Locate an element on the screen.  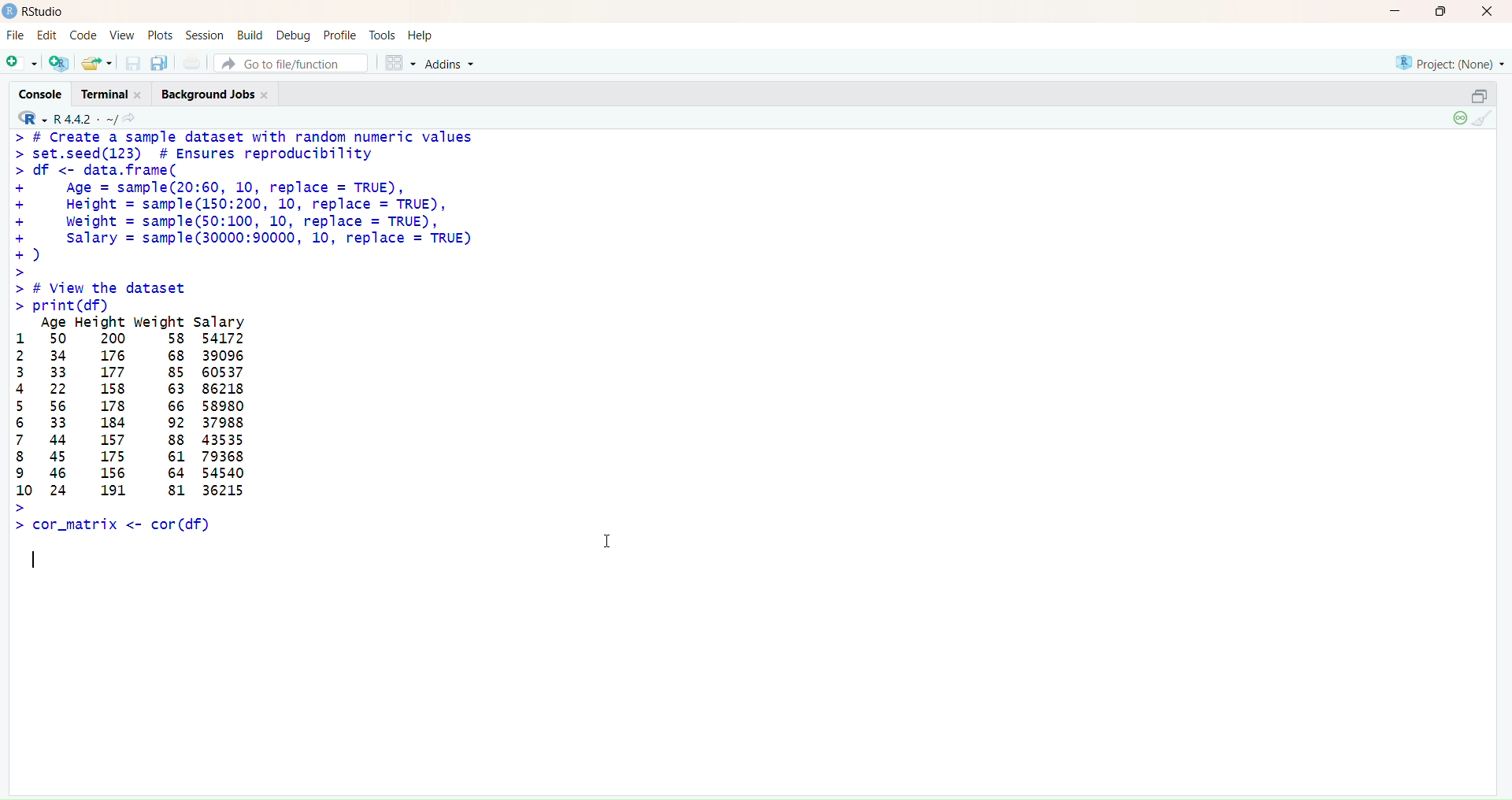
Project (None) is located at coordinates (1452, 65).